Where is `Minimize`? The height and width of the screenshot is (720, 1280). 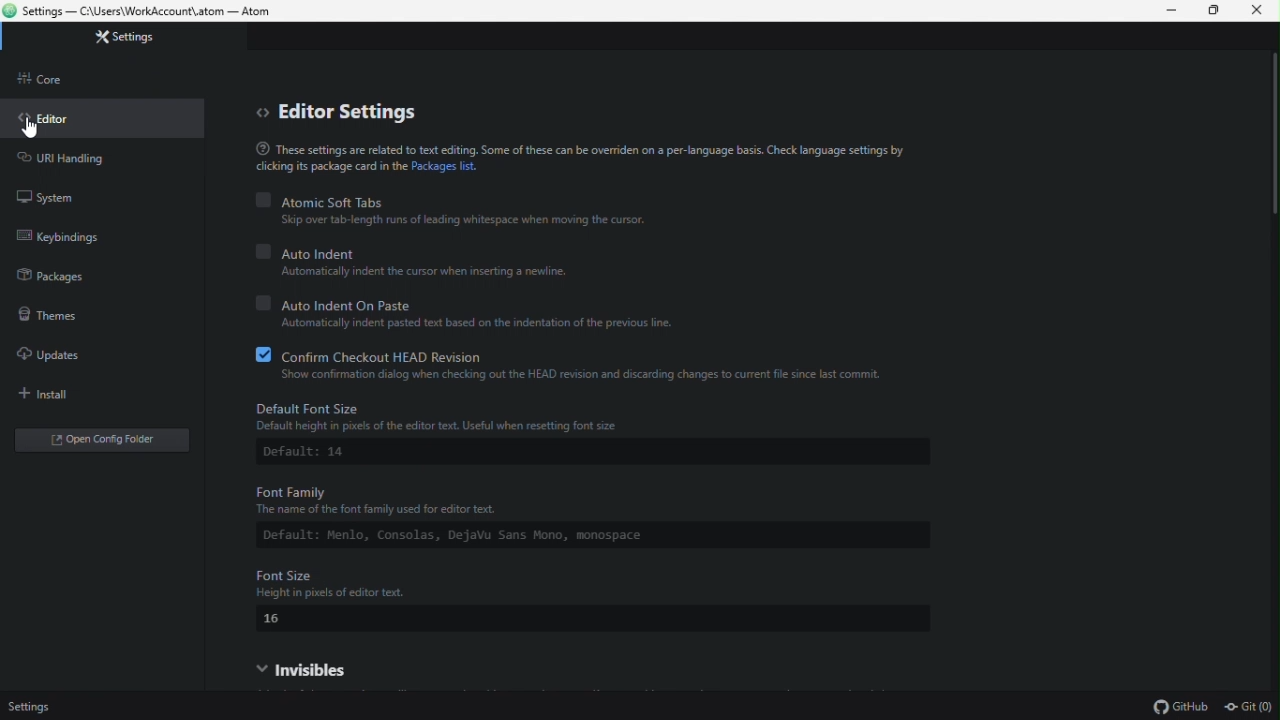
Minimize is located at coordinates (1165, 12).